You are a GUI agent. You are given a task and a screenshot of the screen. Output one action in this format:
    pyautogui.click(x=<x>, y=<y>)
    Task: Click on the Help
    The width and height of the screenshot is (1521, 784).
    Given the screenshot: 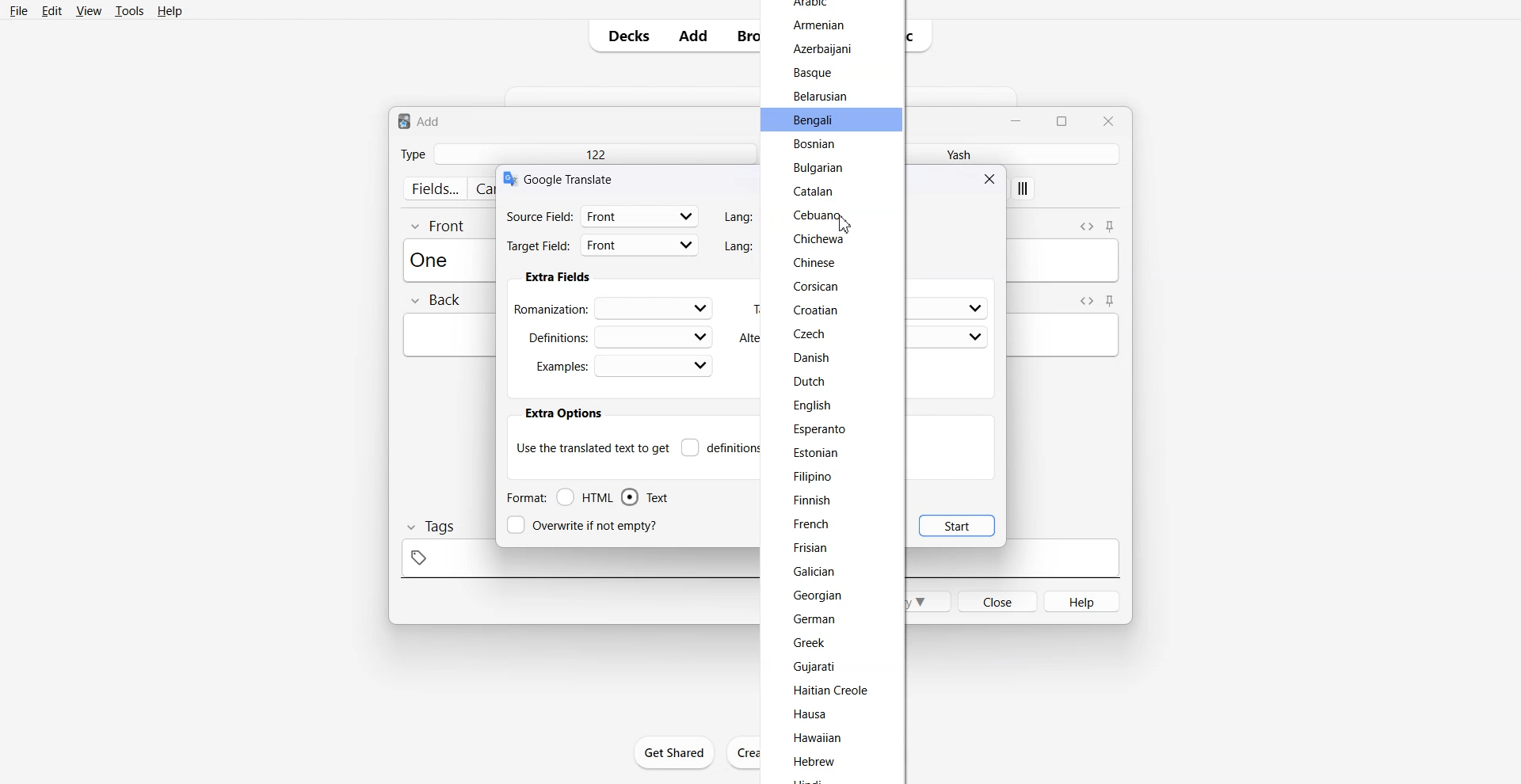 What is the action you would take?
    pyautogui.click(x=1083, y=601)
    